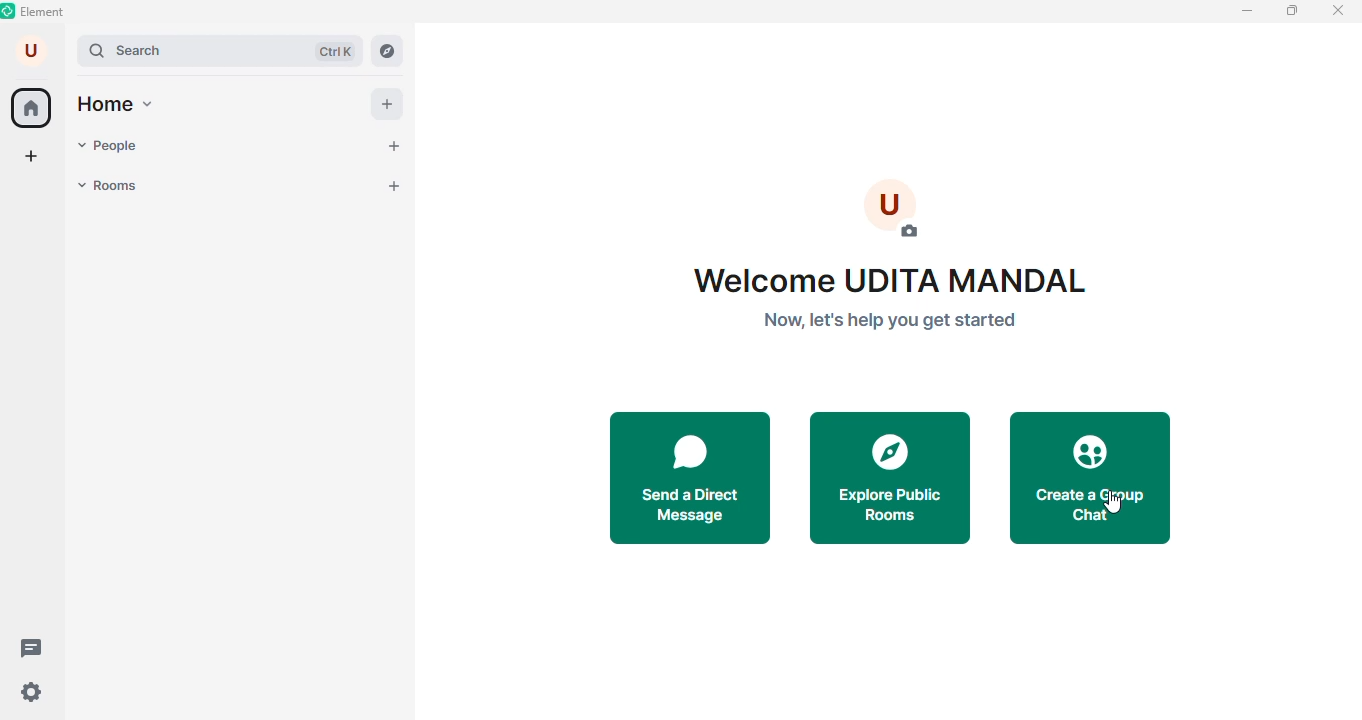 The height and width of the screenshot is (720, 1362). I want to click on element, so click(34, 13).